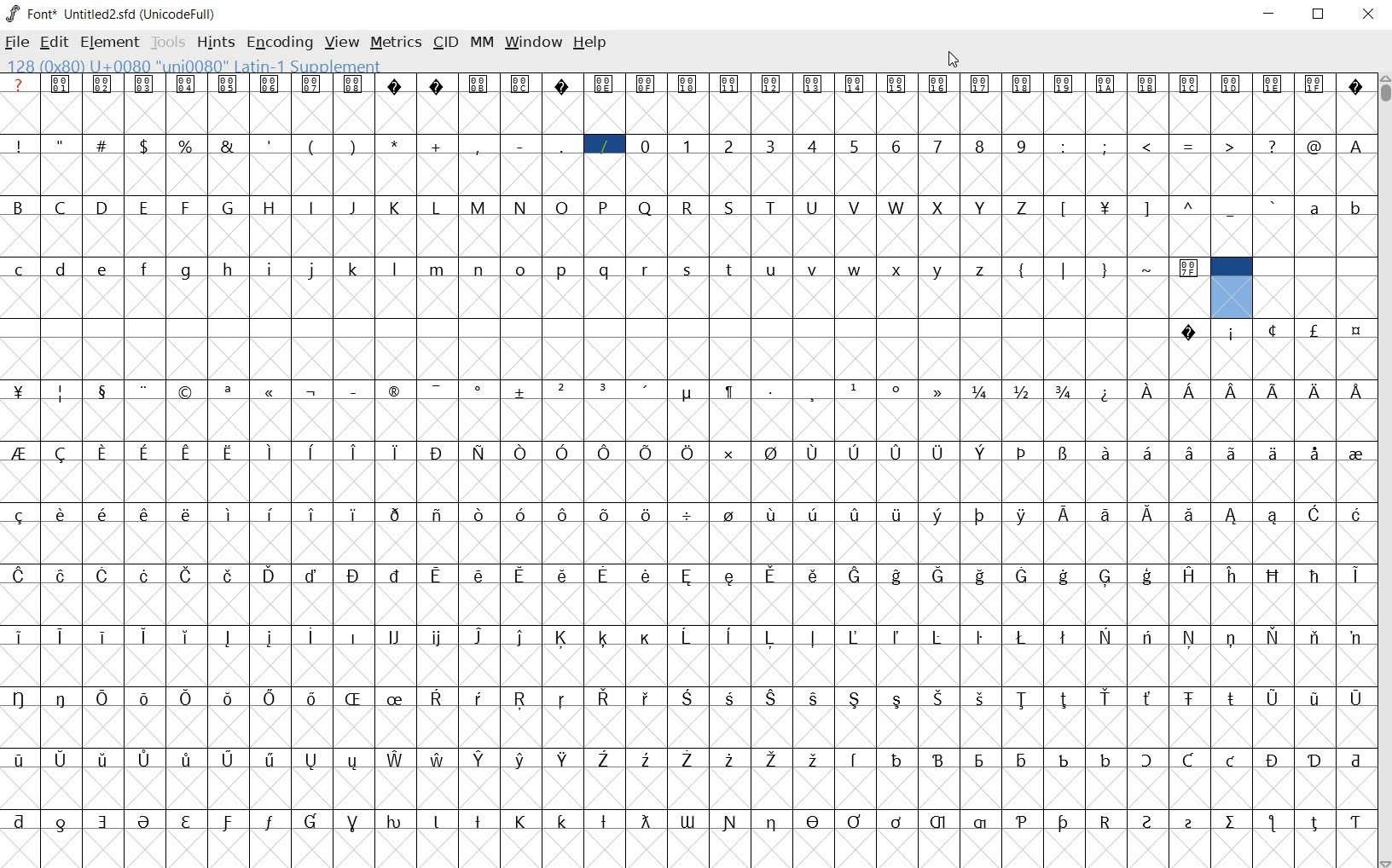  Describe the element at coordinates (1314, 329) in the screenshot. I see `Symbol` at that location.